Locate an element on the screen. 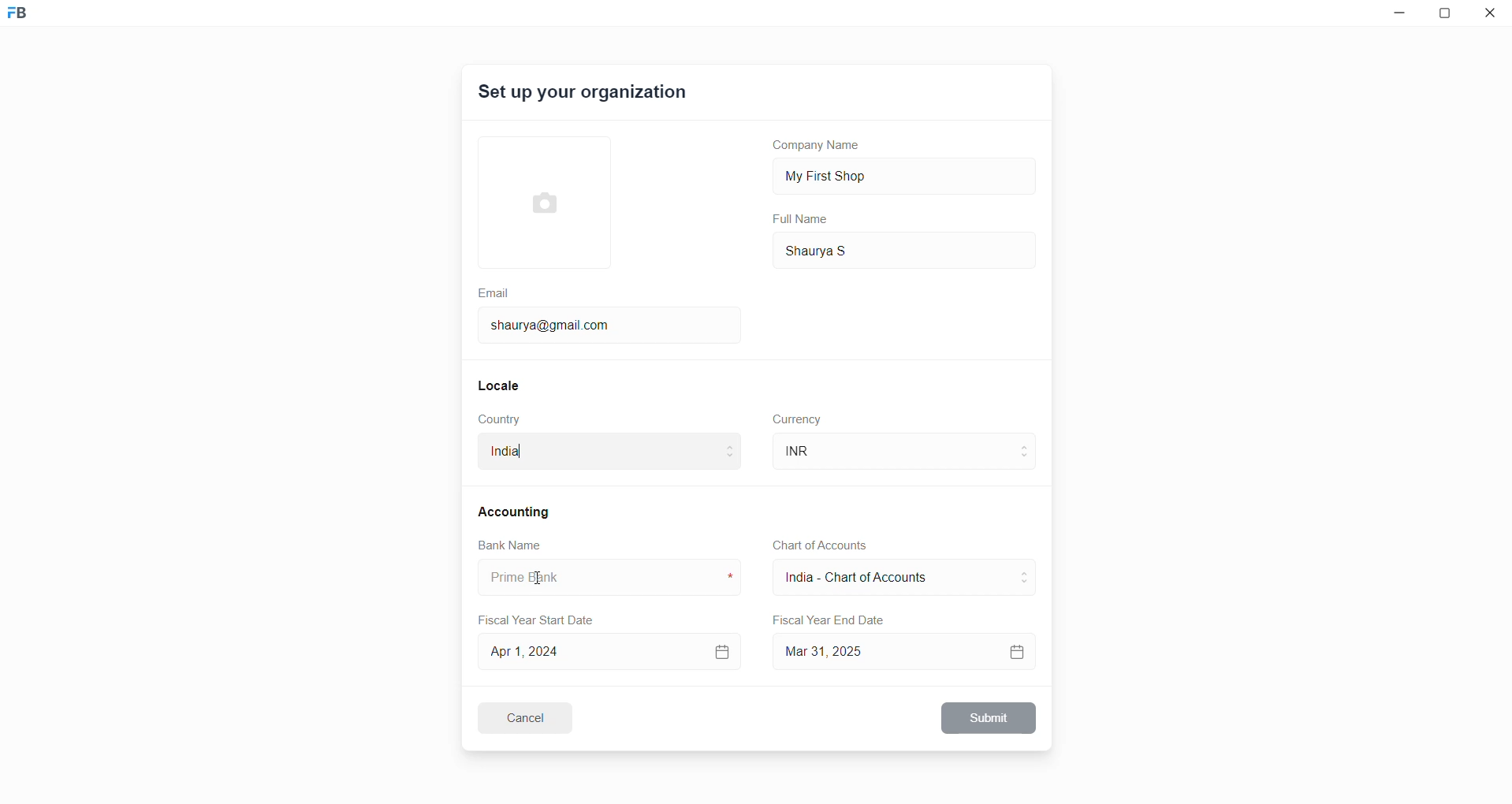 The width and height of the screenshot is (1512, 804). select Profile picture is located at coordinates (537, 200).